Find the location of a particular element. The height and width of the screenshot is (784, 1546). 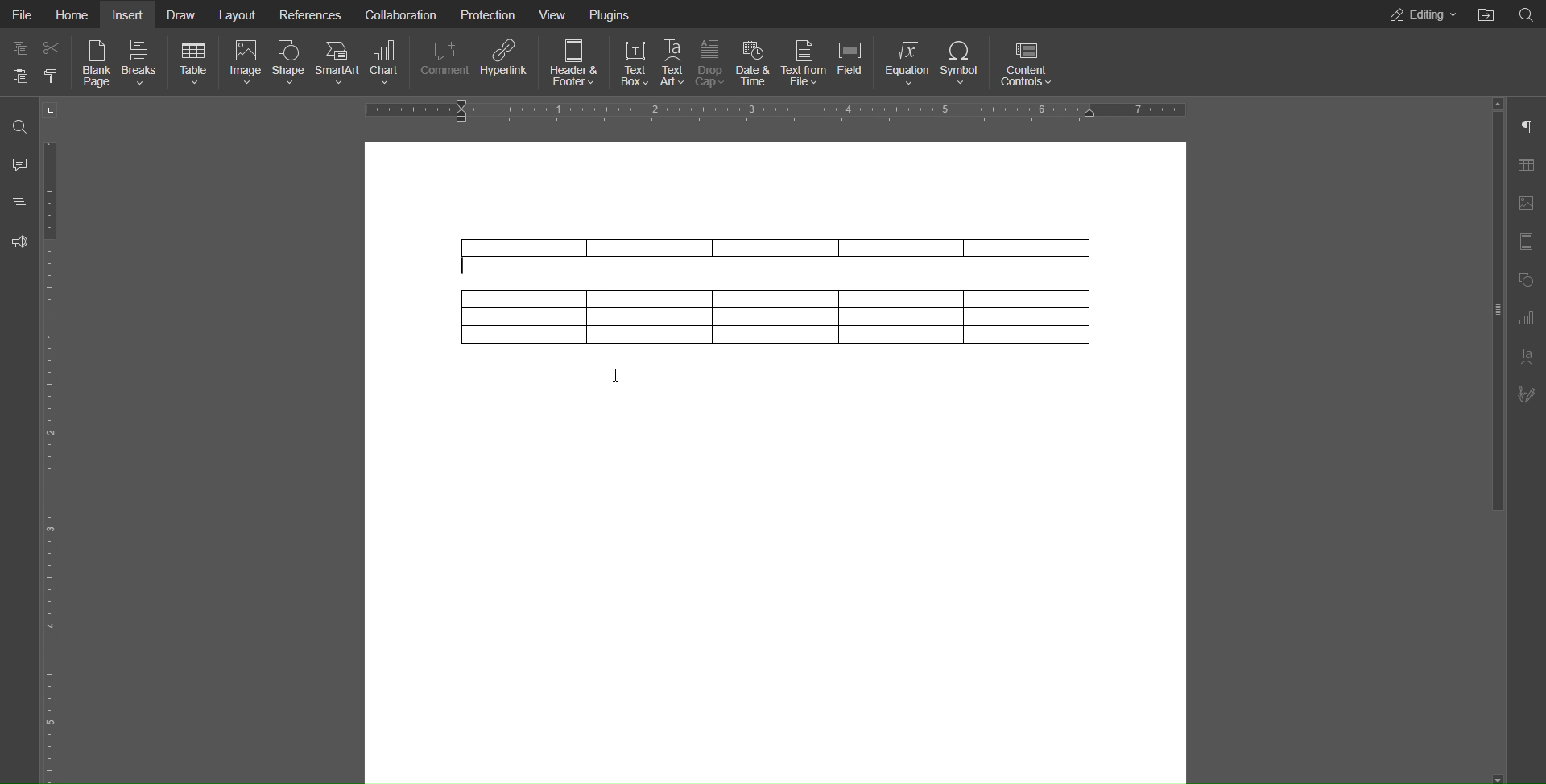

Breaks is located at coordinates (143, 63).